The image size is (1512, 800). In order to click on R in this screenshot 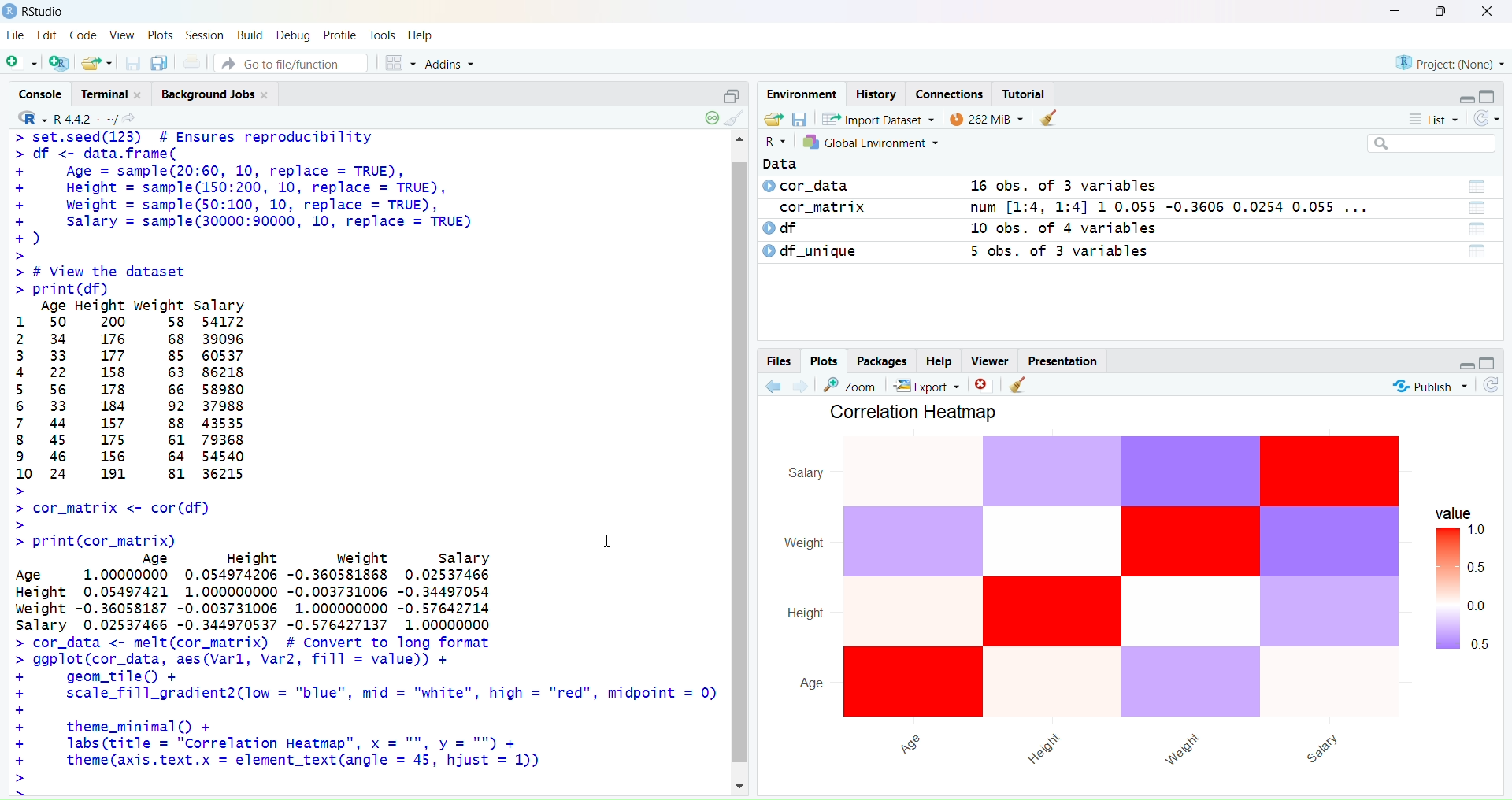, I will do `click(777, 141)`.